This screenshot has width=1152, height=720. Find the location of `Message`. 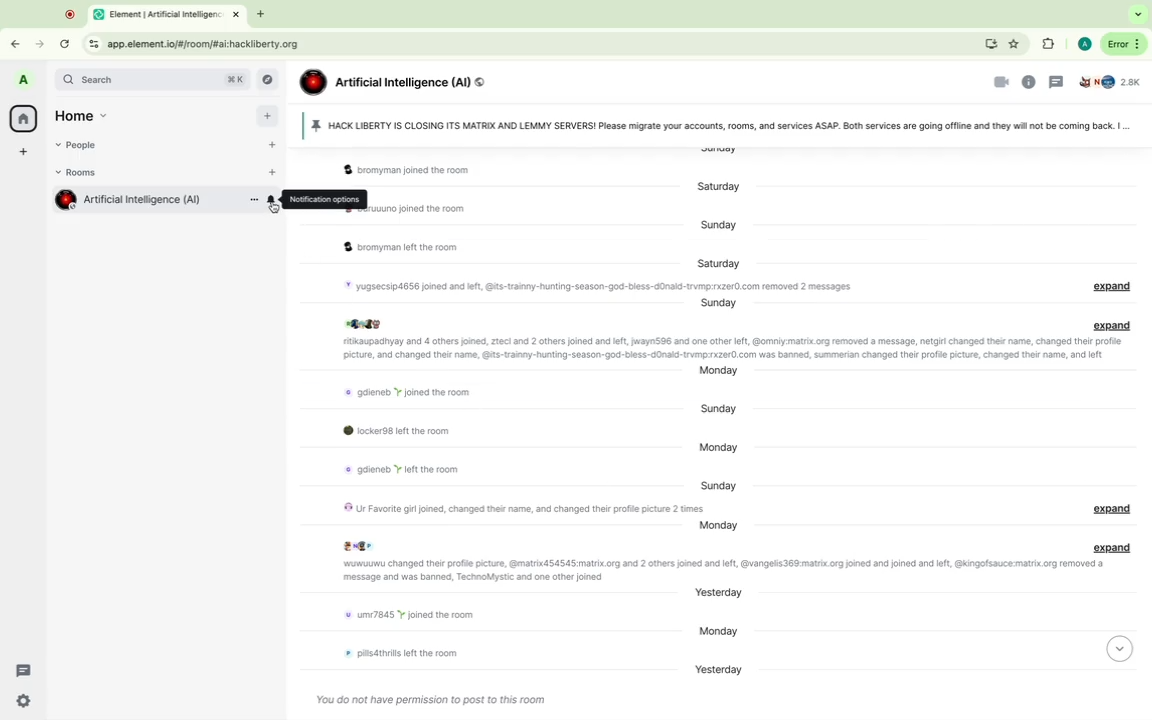

Message is located at coordinates (402, 246).